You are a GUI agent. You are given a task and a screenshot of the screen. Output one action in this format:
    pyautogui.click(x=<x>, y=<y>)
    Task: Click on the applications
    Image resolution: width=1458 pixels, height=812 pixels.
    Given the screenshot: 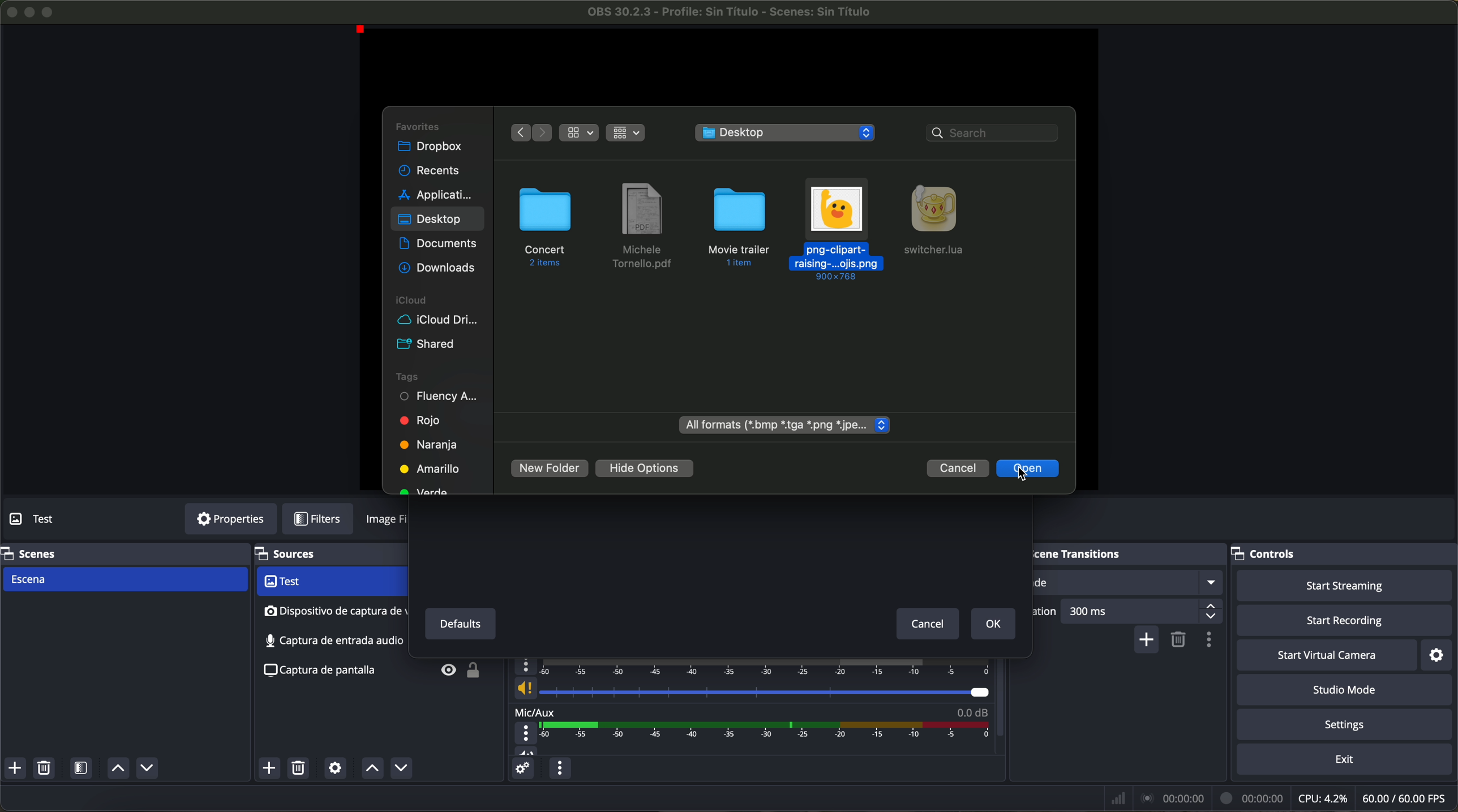 What is the action you would take?
    pyautogui.click(x=435, y=194)
    